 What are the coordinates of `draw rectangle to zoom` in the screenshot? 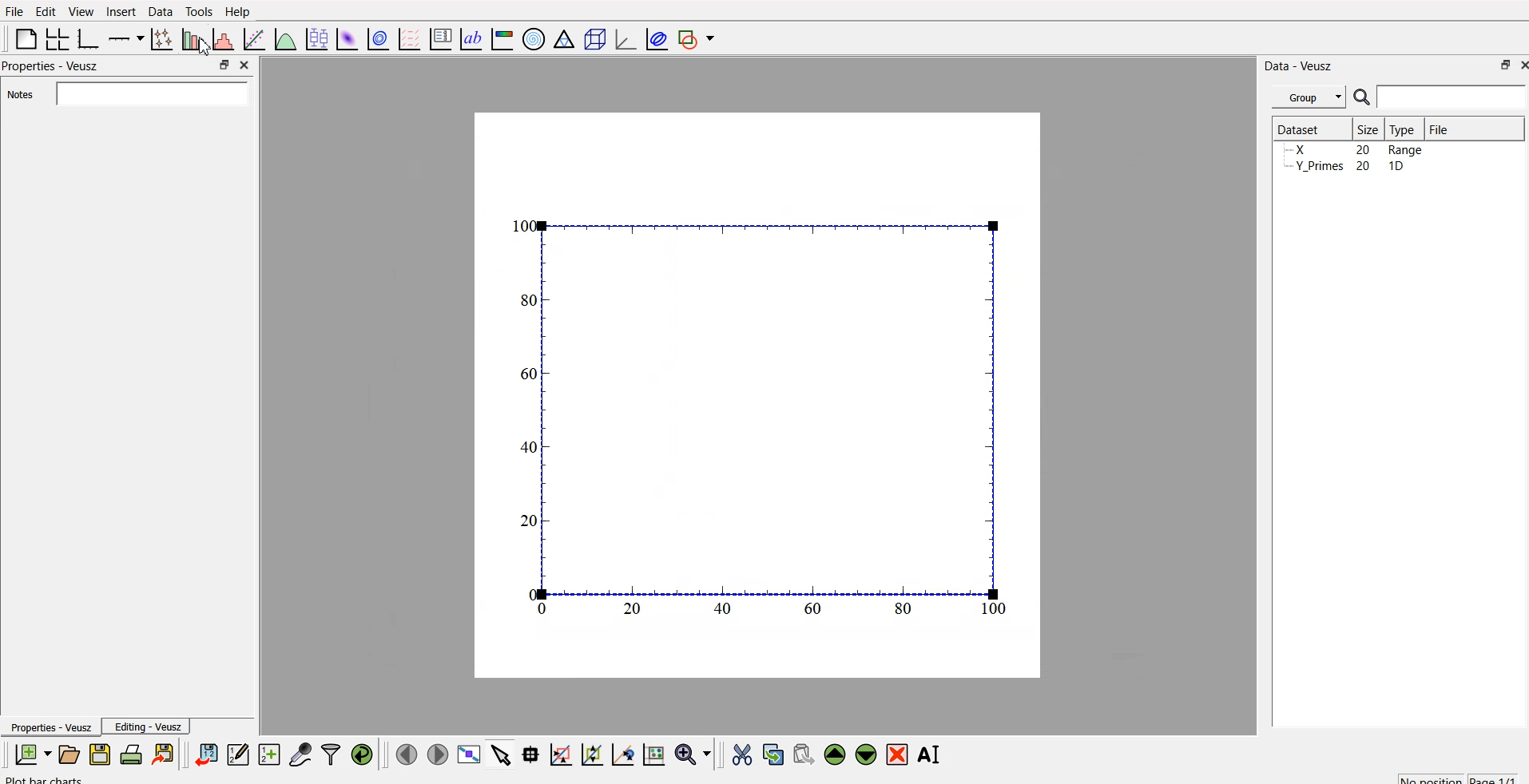 It's located at (560, 754).